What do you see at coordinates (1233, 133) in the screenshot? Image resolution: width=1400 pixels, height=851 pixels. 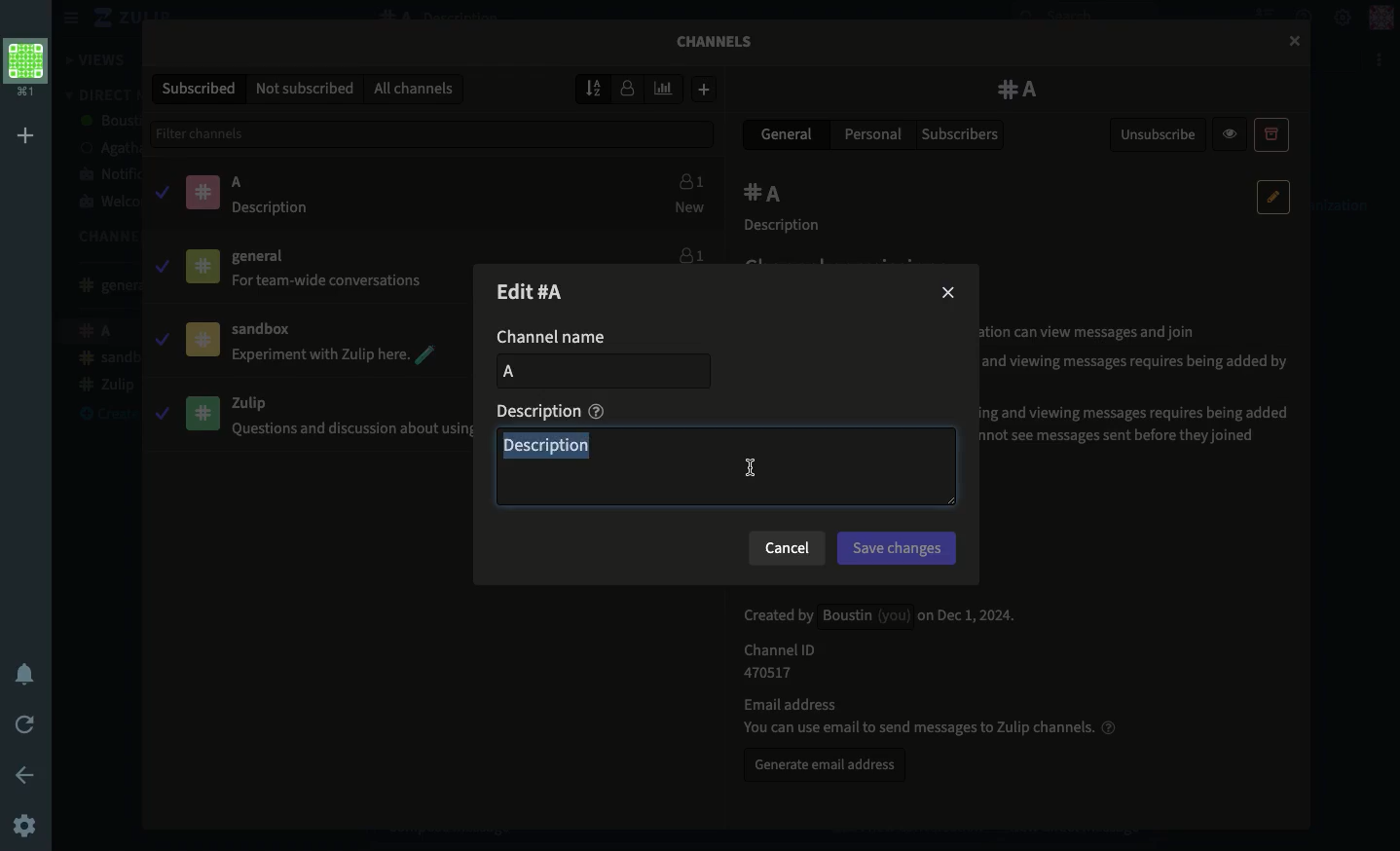 I see `Preview` at bounding box center [1233, 133].